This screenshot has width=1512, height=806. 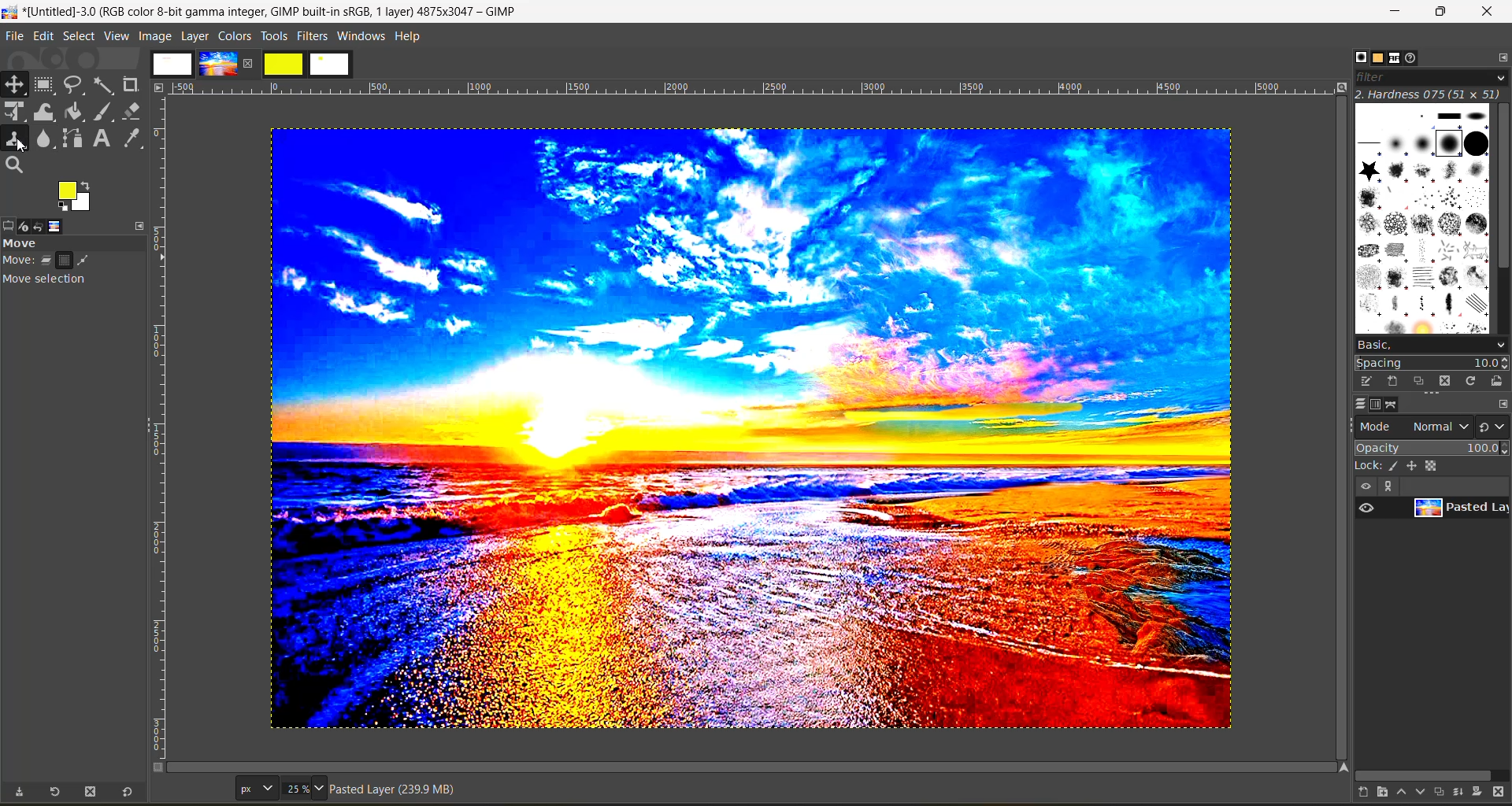 I want to click on image, so click(x=69, y=226).